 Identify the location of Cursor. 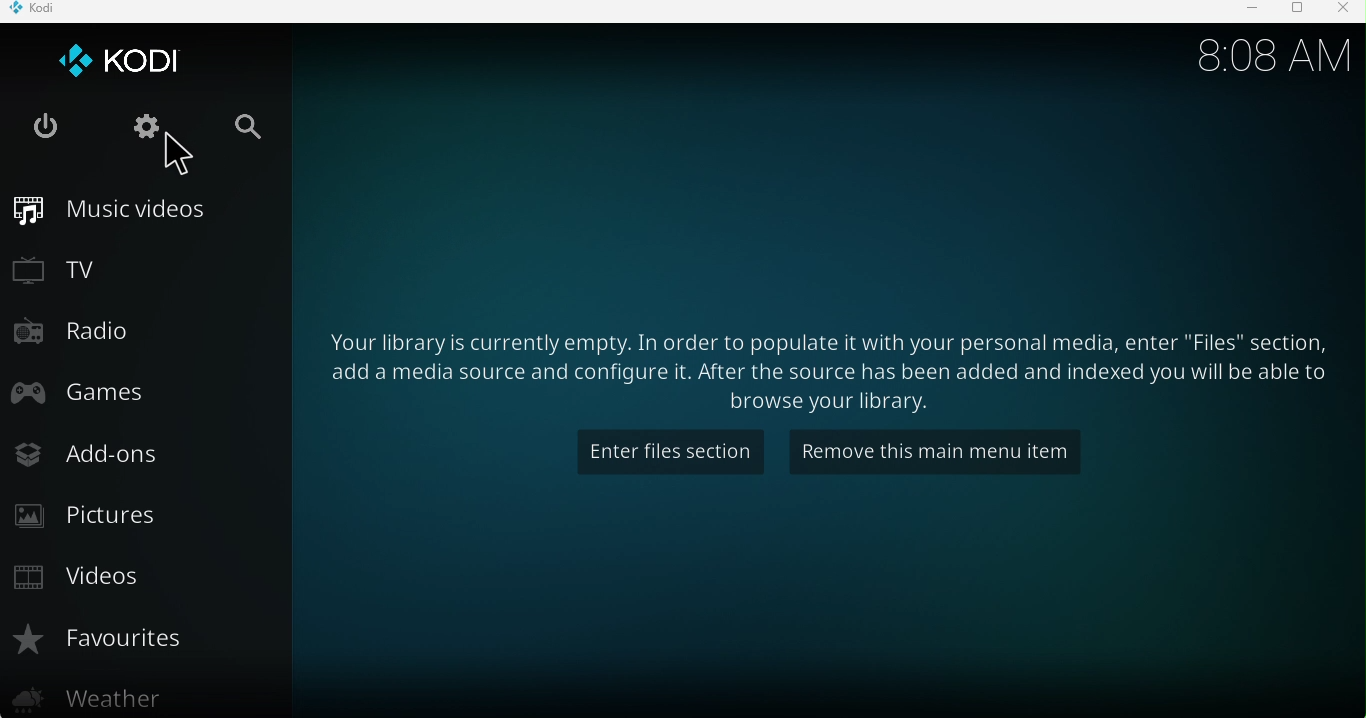
(187, 149).